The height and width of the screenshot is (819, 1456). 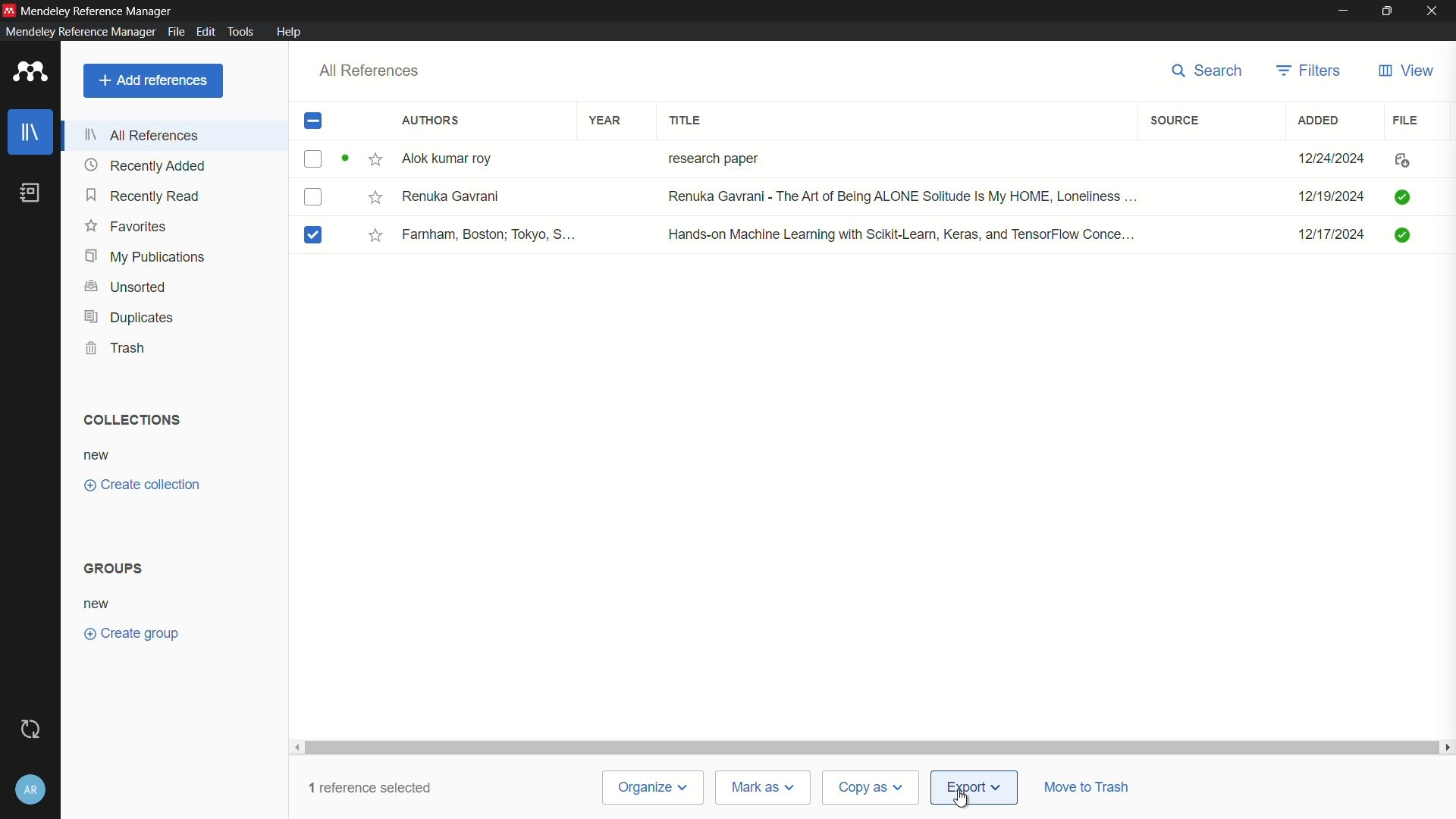 What do you see at coordinates (317, 121) in the screenshot?
I see `checkbox` at bounding box center [317, 121].